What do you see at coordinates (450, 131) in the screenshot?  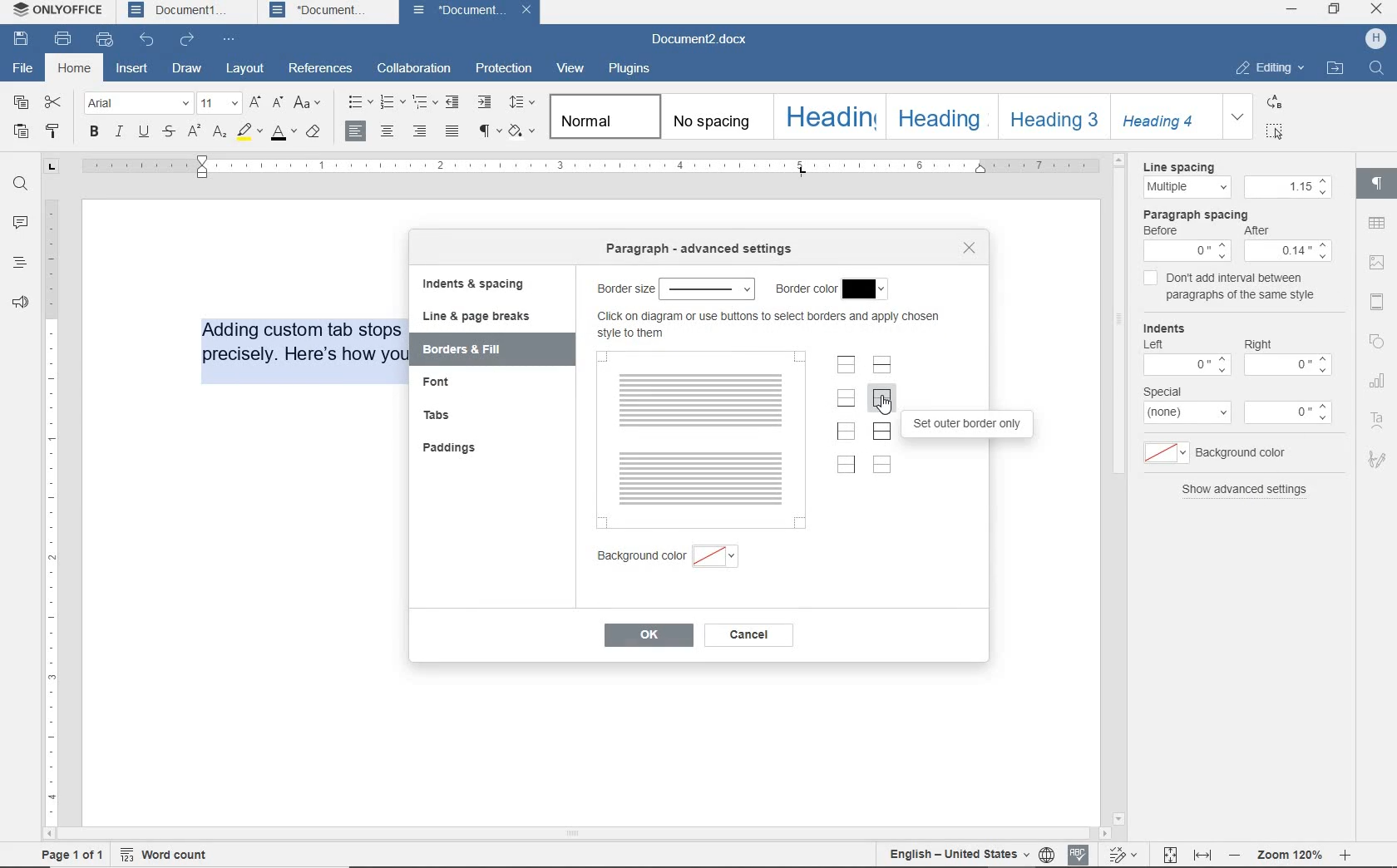 I see `justified` at bounding box center [450, 131].